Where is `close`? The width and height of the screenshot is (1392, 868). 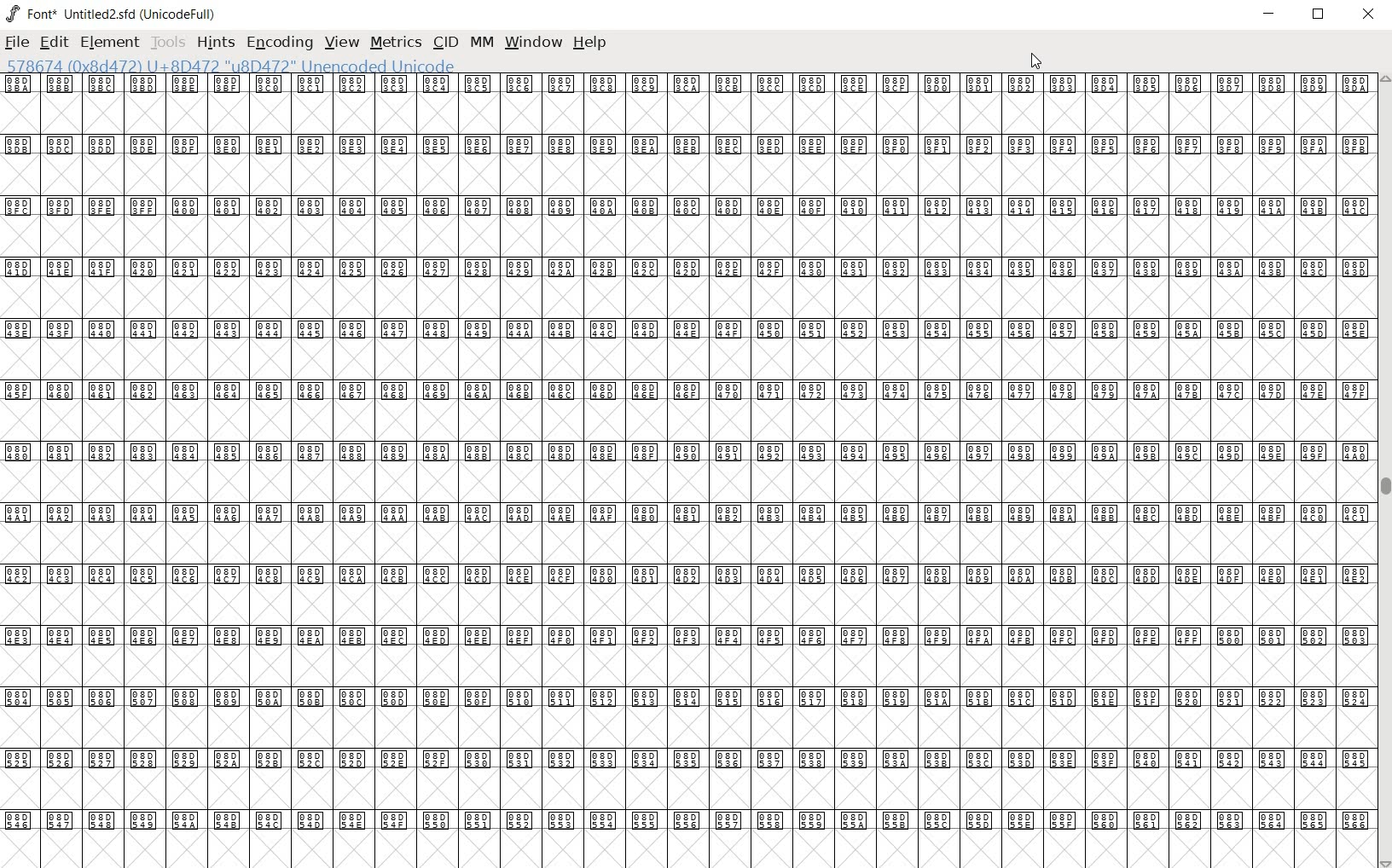
close is located at coordinates (1038, 62).